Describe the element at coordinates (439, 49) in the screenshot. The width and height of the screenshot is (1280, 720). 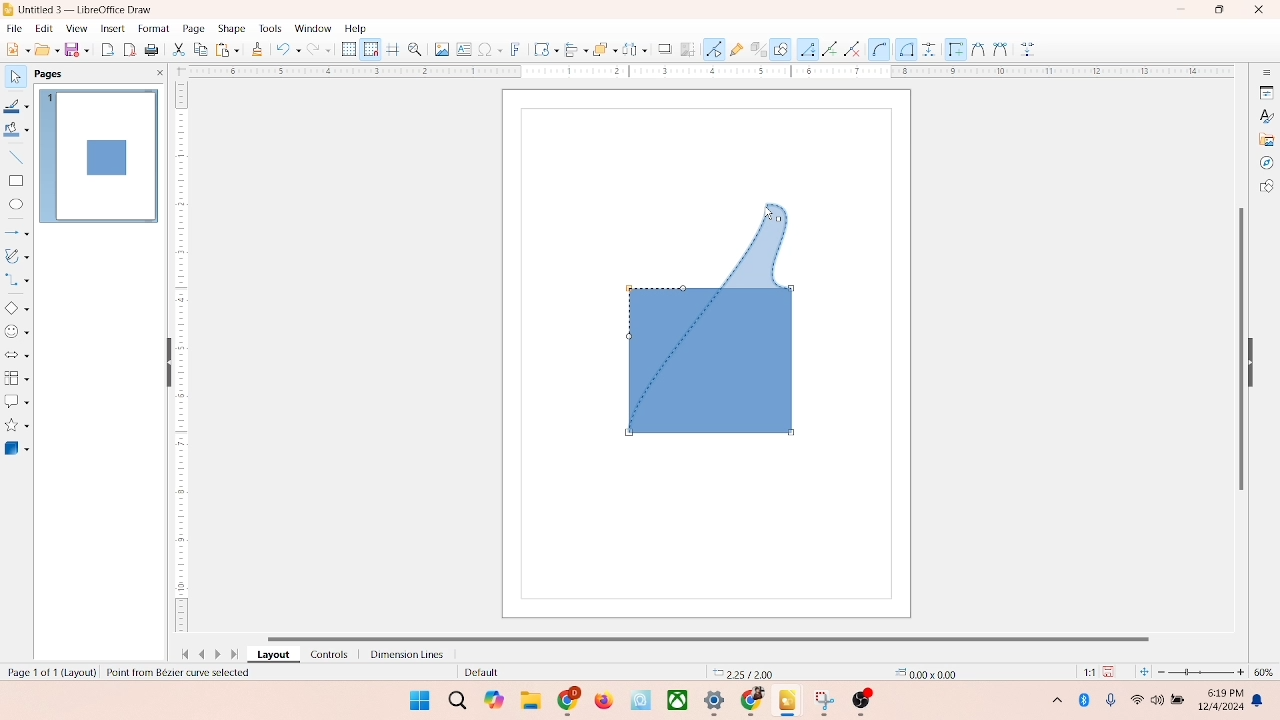
I see `image` at that location.